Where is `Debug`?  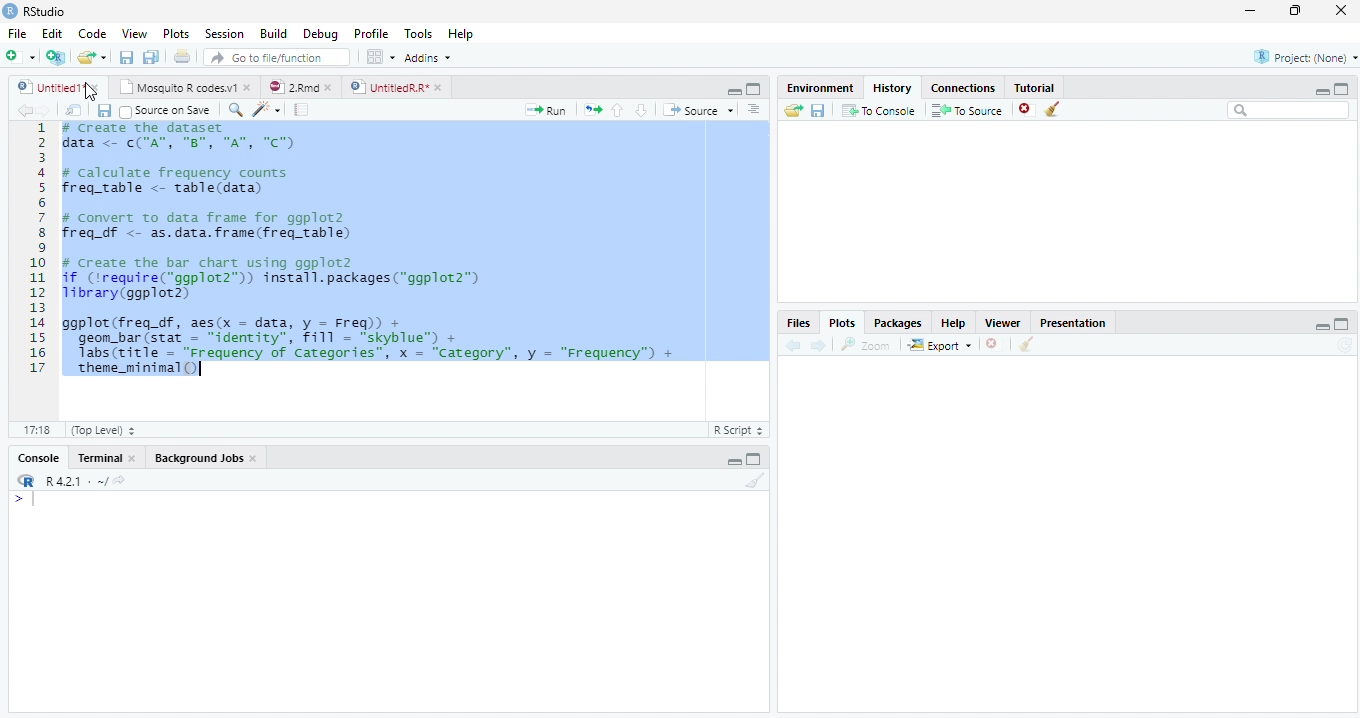 Debug is located at coordinates (321, 33).